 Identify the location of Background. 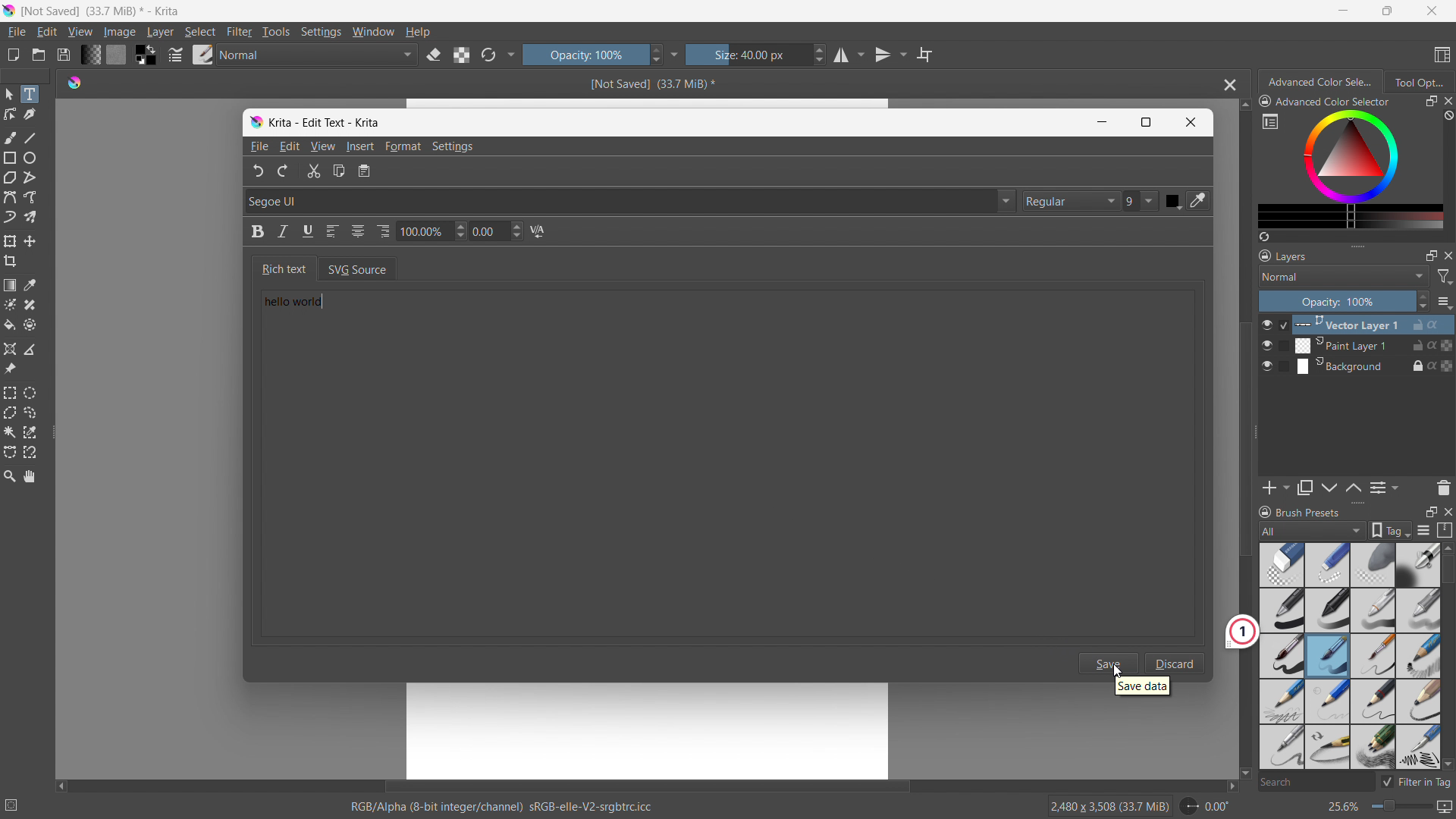
(1365, 366).